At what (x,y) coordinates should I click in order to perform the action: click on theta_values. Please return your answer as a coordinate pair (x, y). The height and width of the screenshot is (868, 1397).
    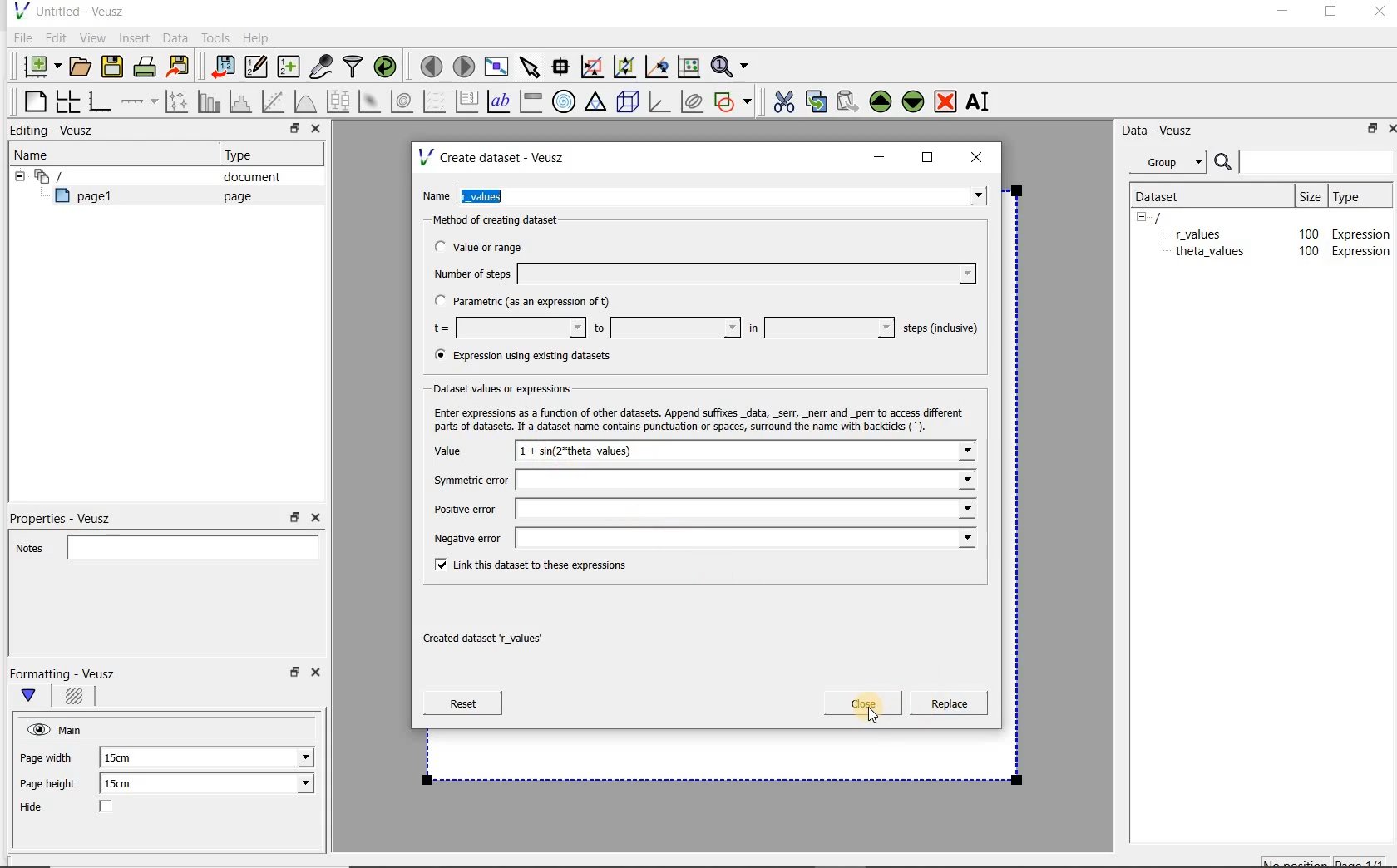
    Looking at the image, I should click on (1214, 254).